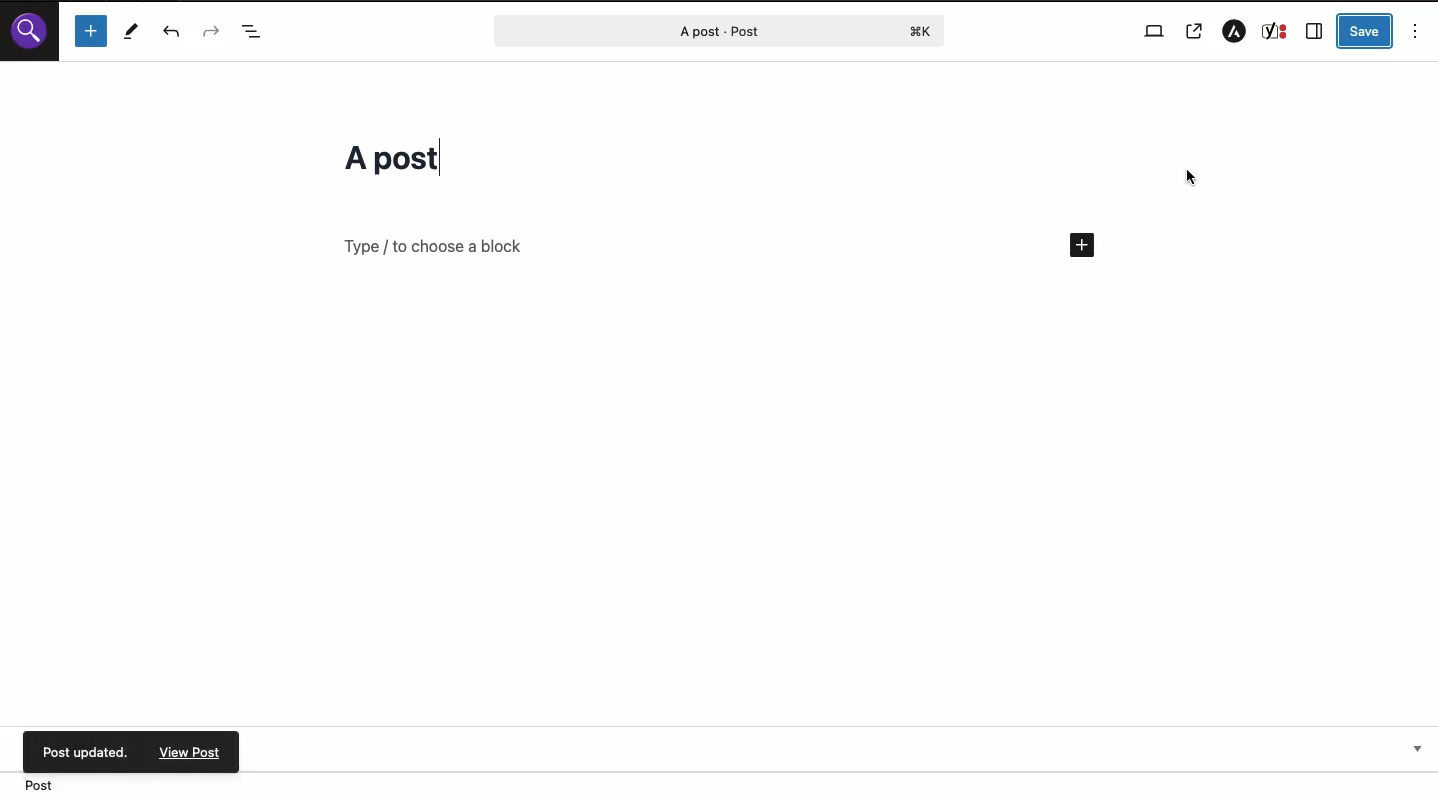 This screenshot has height=796, width=1438. Describe the element at coordinates (1416, 30) in the screenshot. I see `Options` at that location.